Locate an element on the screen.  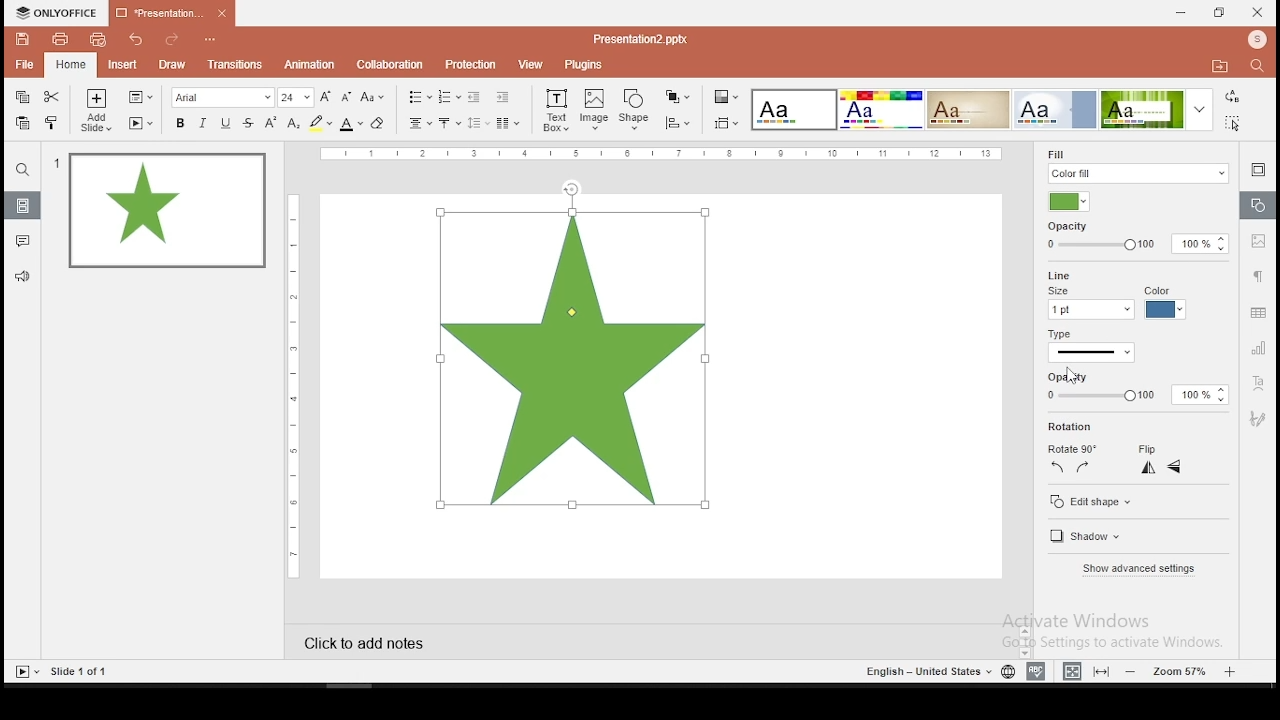
theme is located at coordinates (1160, 109).